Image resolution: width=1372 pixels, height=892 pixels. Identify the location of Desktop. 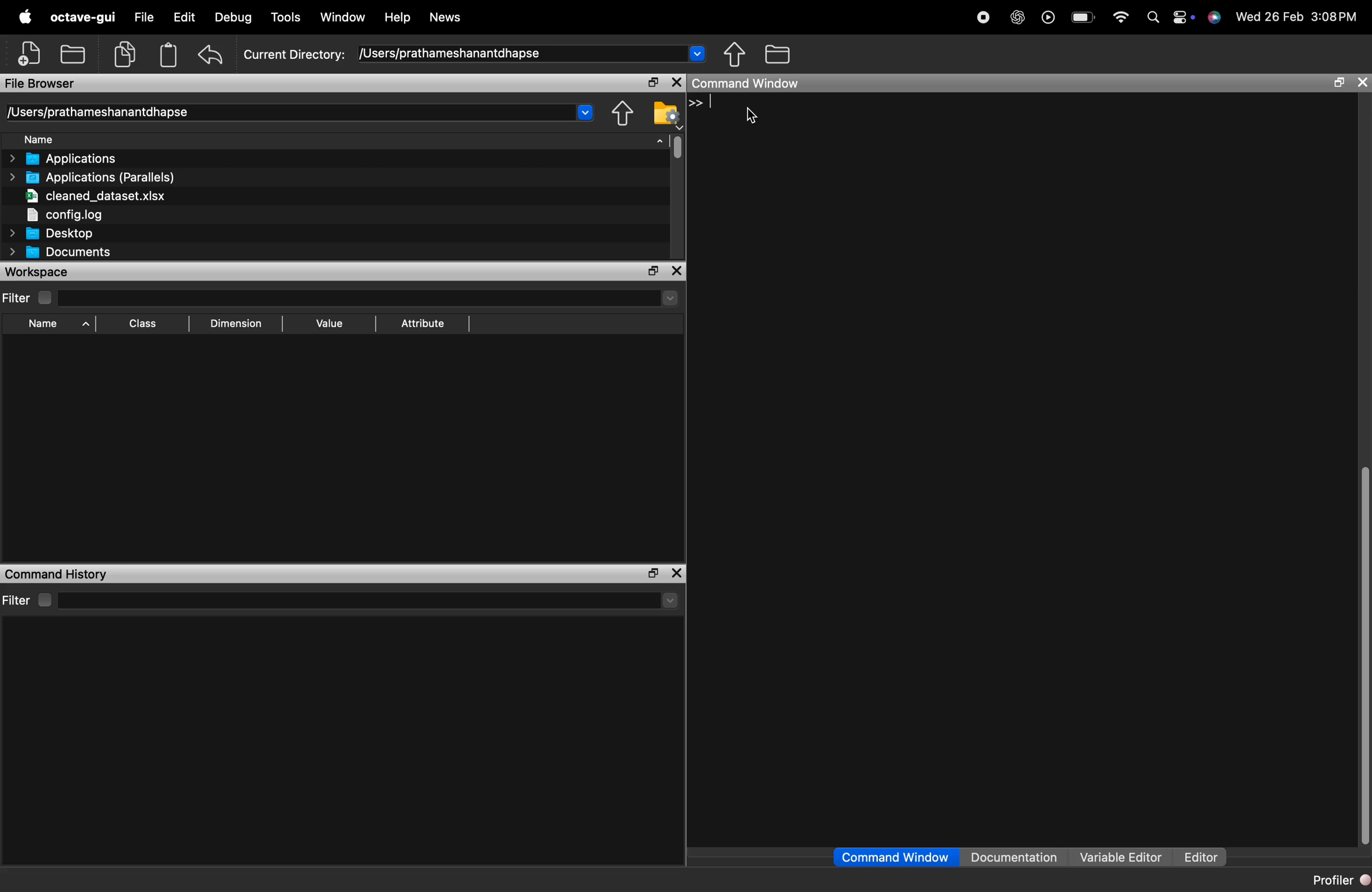
(77, 234).